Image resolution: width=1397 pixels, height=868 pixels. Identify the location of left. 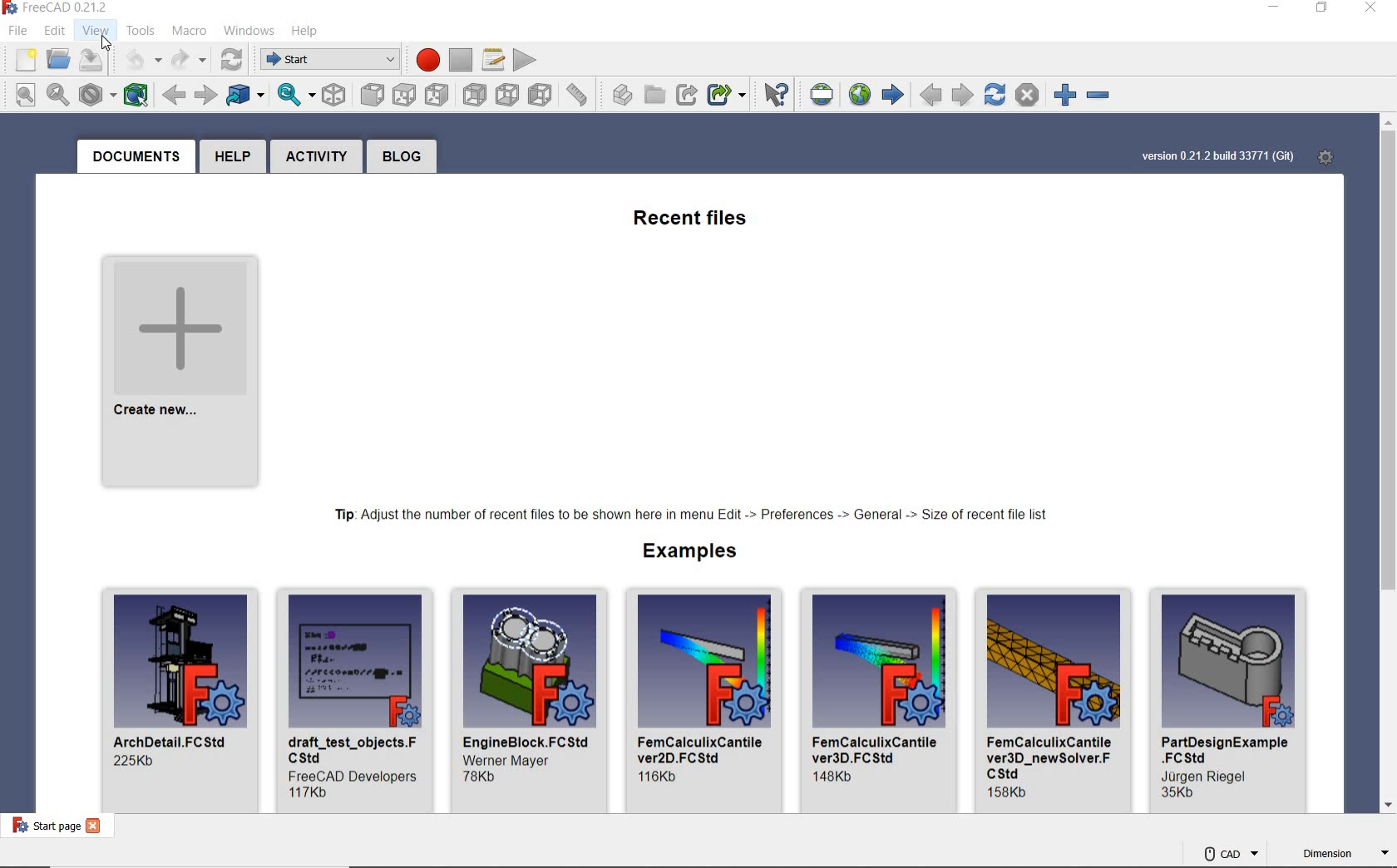
(541, 95).